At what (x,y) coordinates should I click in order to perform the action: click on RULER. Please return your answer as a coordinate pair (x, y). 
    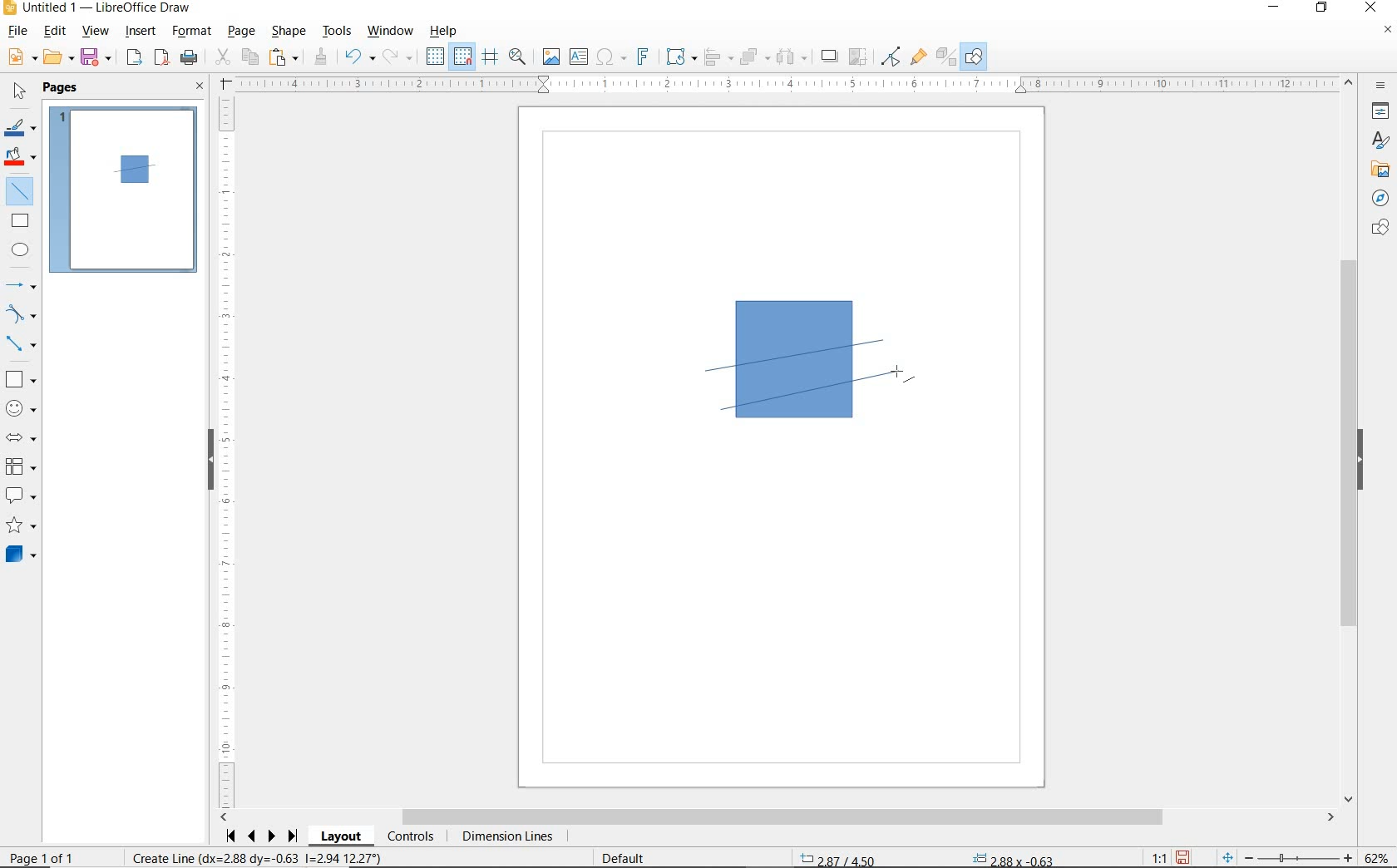
    Looking at the image, I should click on (227, 452).